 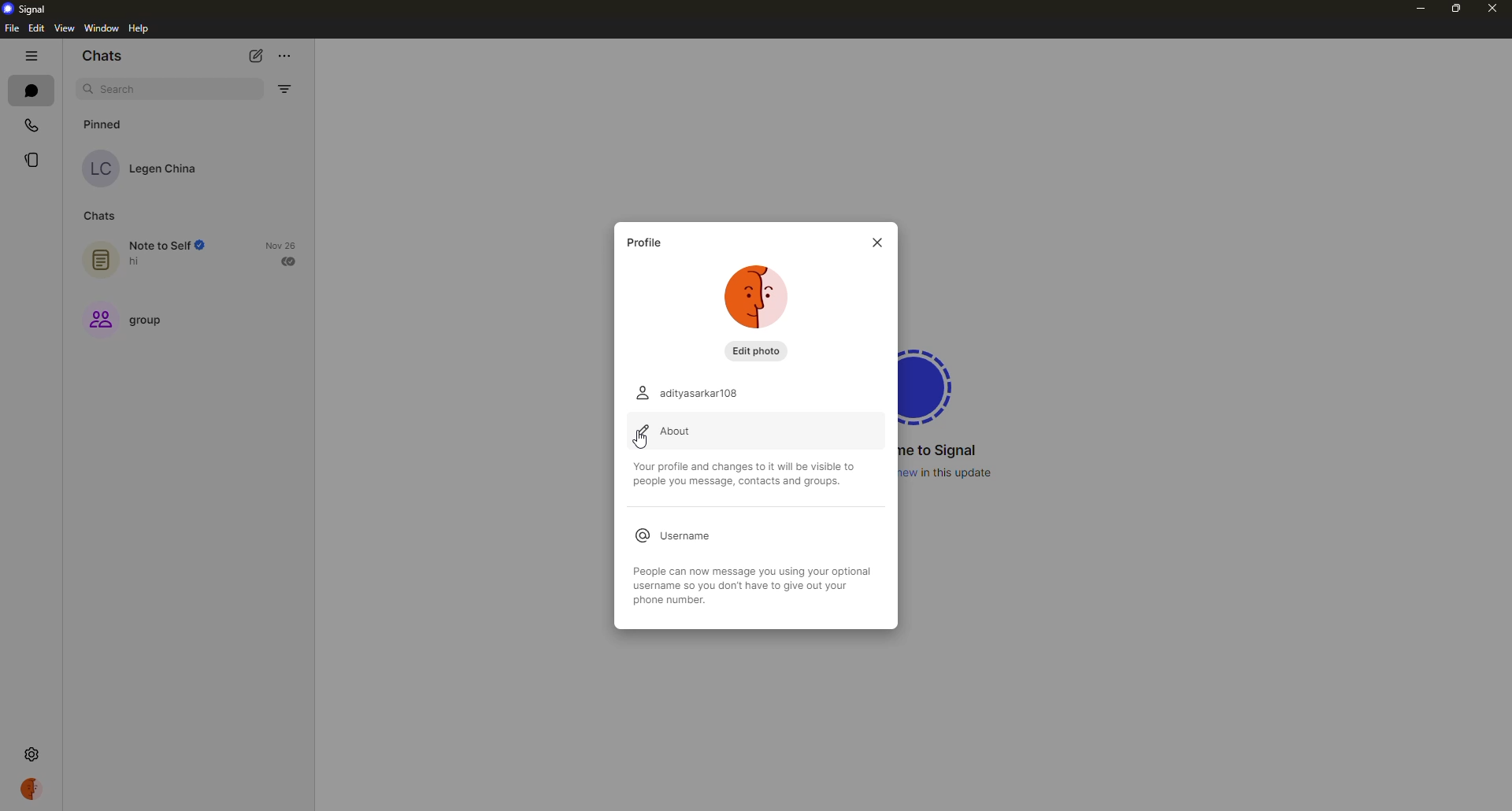 What do you see at coordinates (29, 8) in the screenshot?
I see `signal` at bounding box center [29, 8].